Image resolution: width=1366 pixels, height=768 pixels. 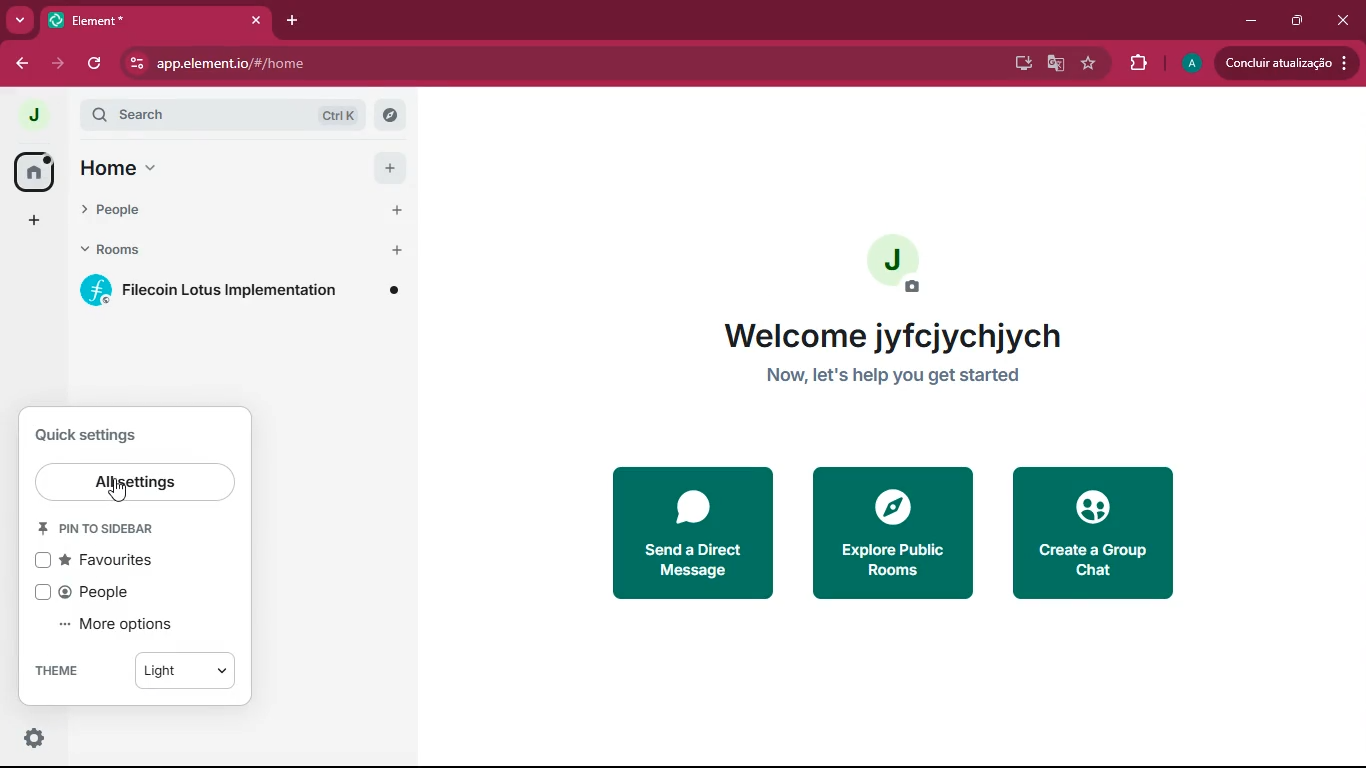 What do you see at coordinates (1019, 63) in the screenshot?
I see `desktop` at bounding box center [1019, 63].